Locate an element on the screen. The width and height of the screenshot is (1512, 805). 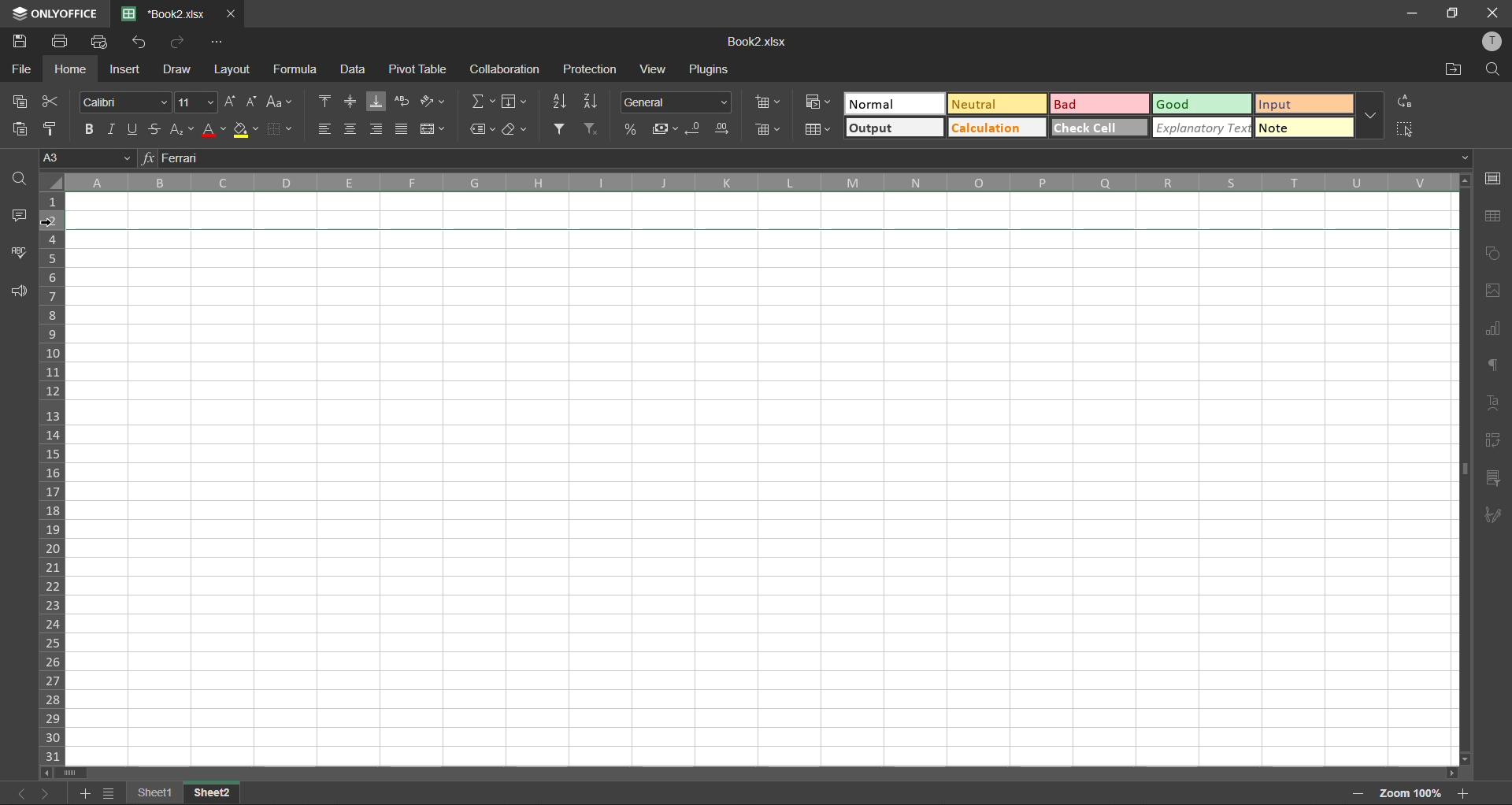
italic is located at coordinates (112, 127).